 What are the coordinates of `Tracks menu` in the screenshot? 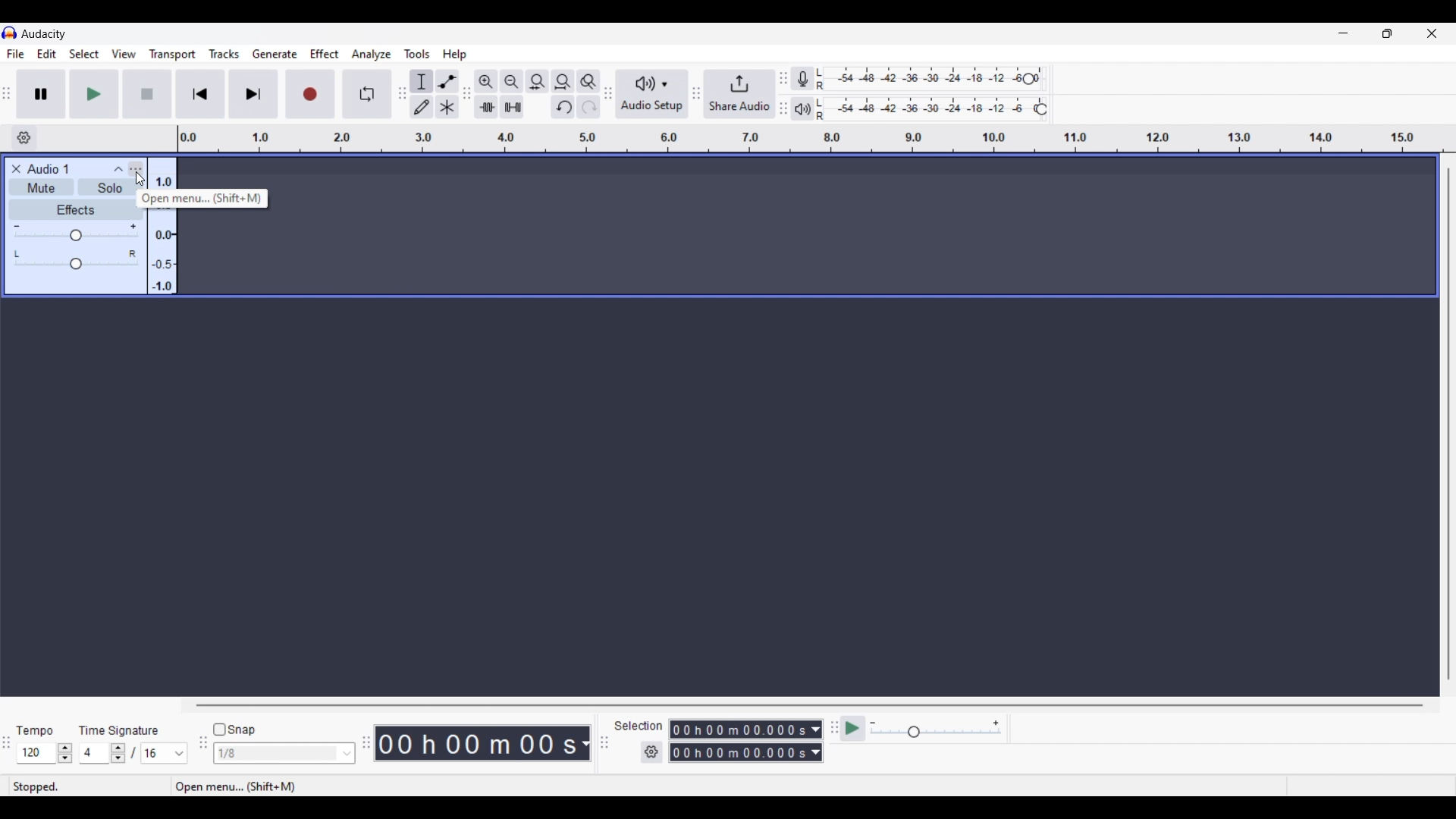 It's located at (224, 54).